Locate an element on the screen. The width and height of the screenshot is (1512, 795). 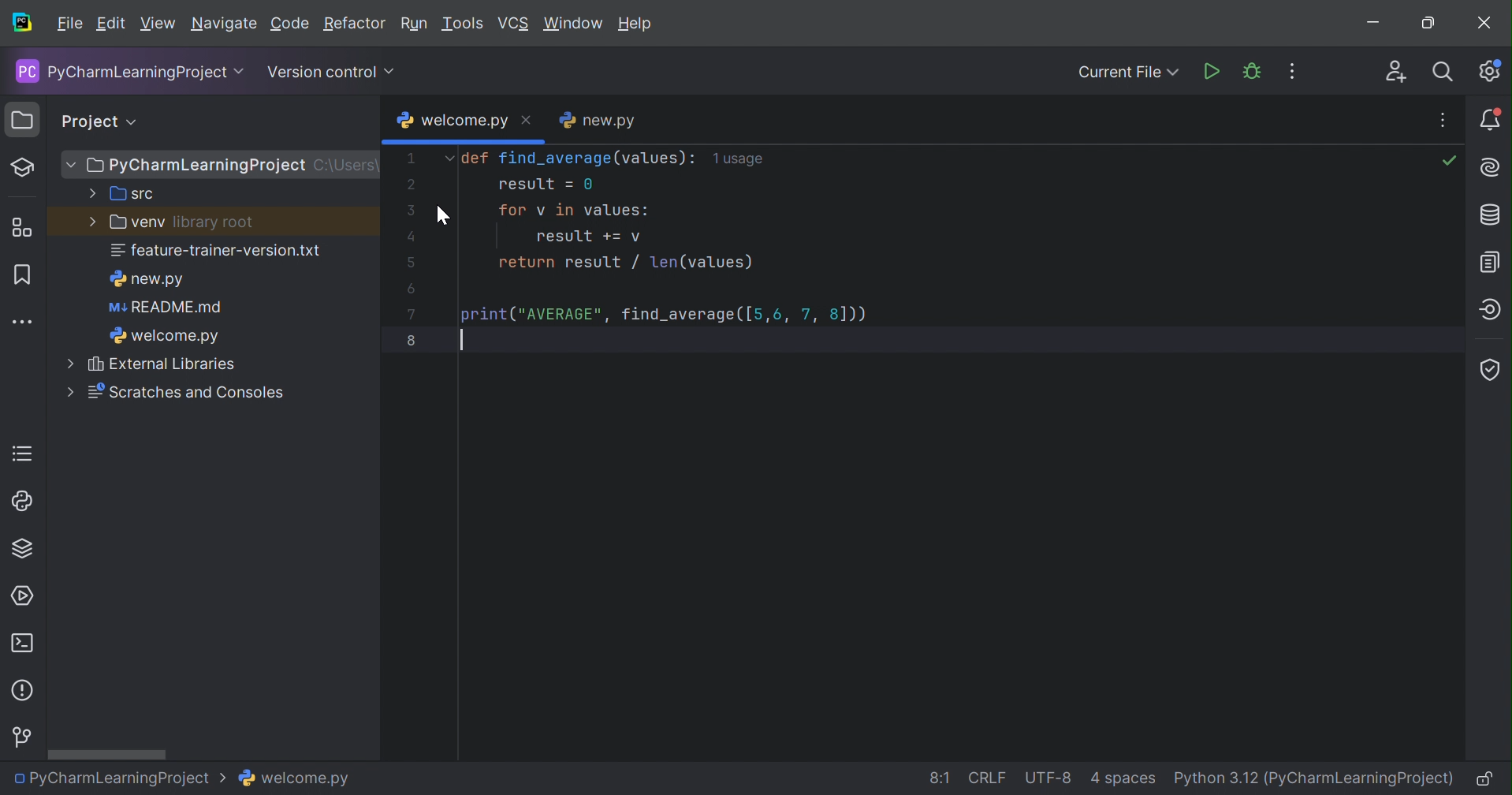
Tools is located at coordinates (464, 24).